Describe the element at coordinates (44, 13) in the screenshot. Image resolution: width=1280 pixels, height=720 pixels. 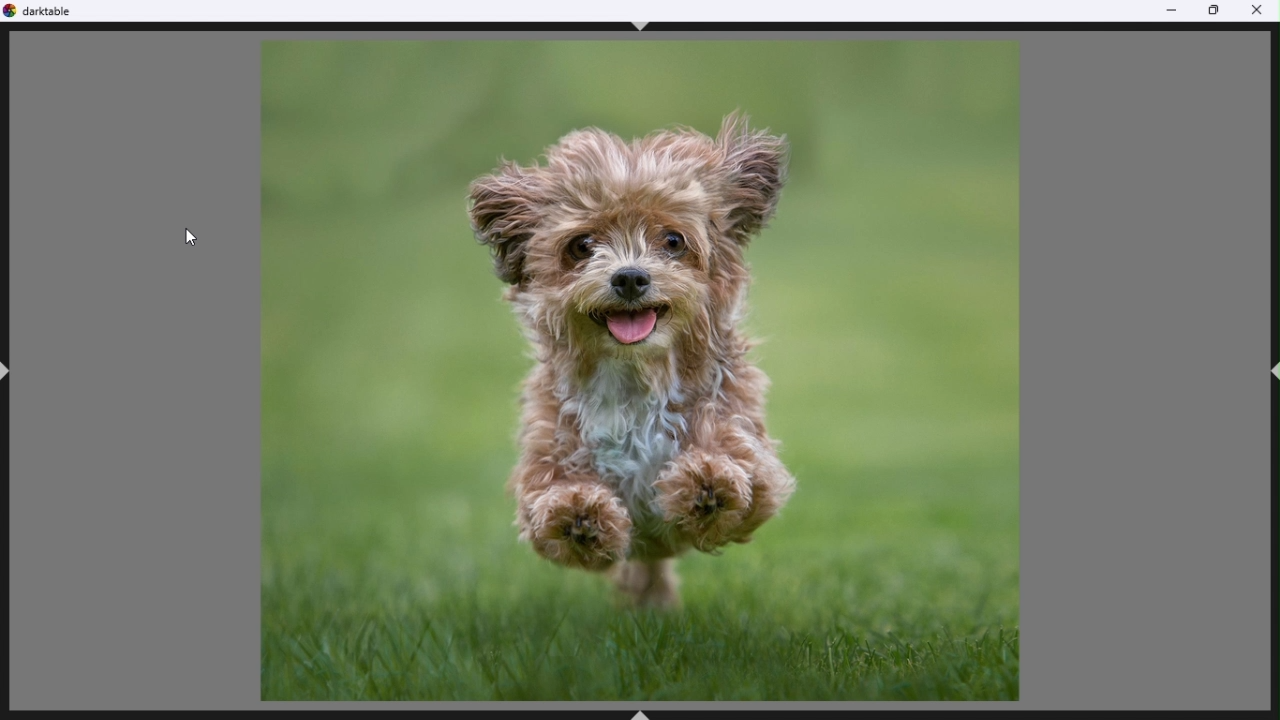
I see `Dark table` at that location.